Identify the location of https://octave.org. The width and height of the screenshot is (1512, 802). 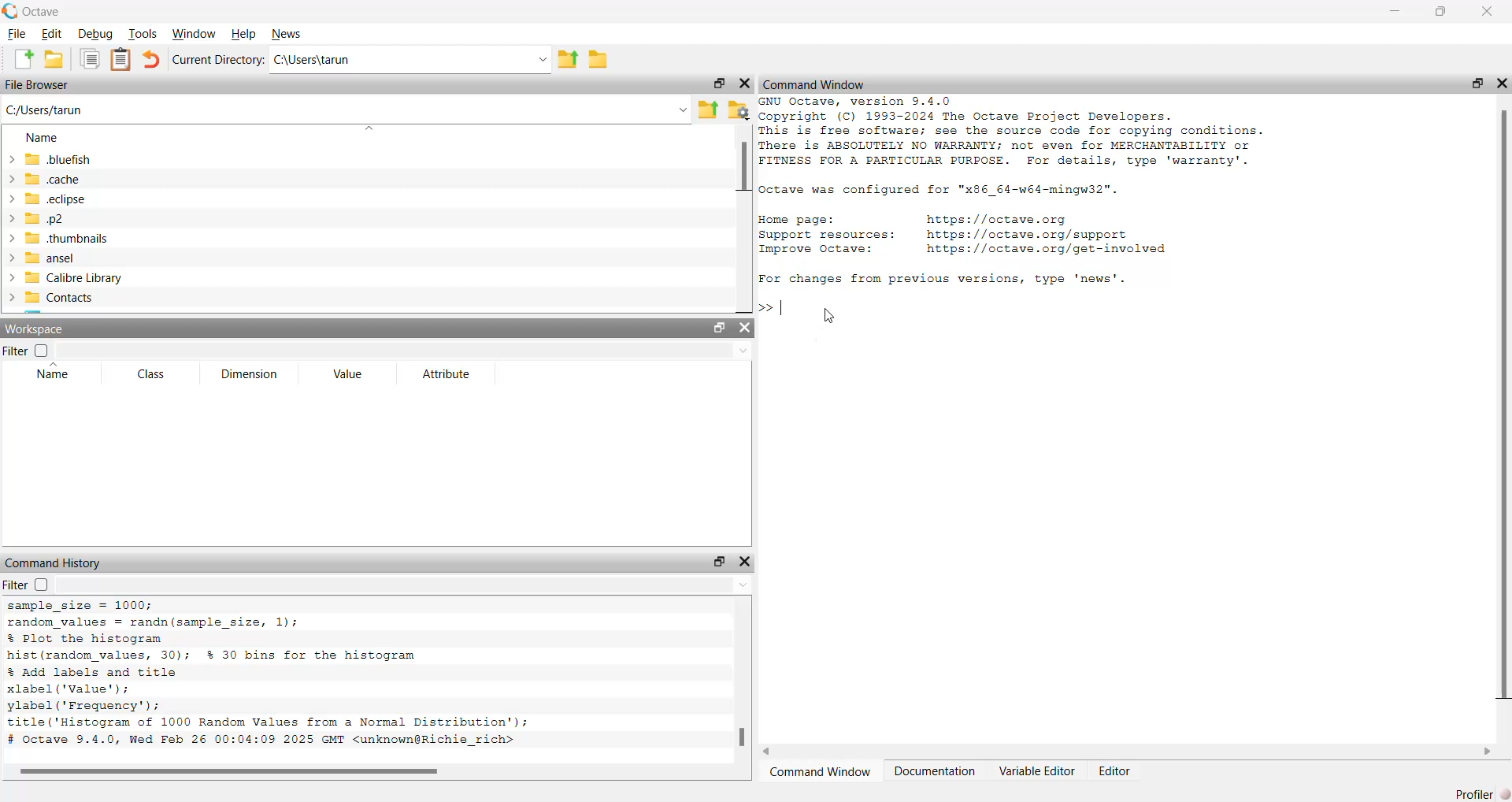
(1001, 217).